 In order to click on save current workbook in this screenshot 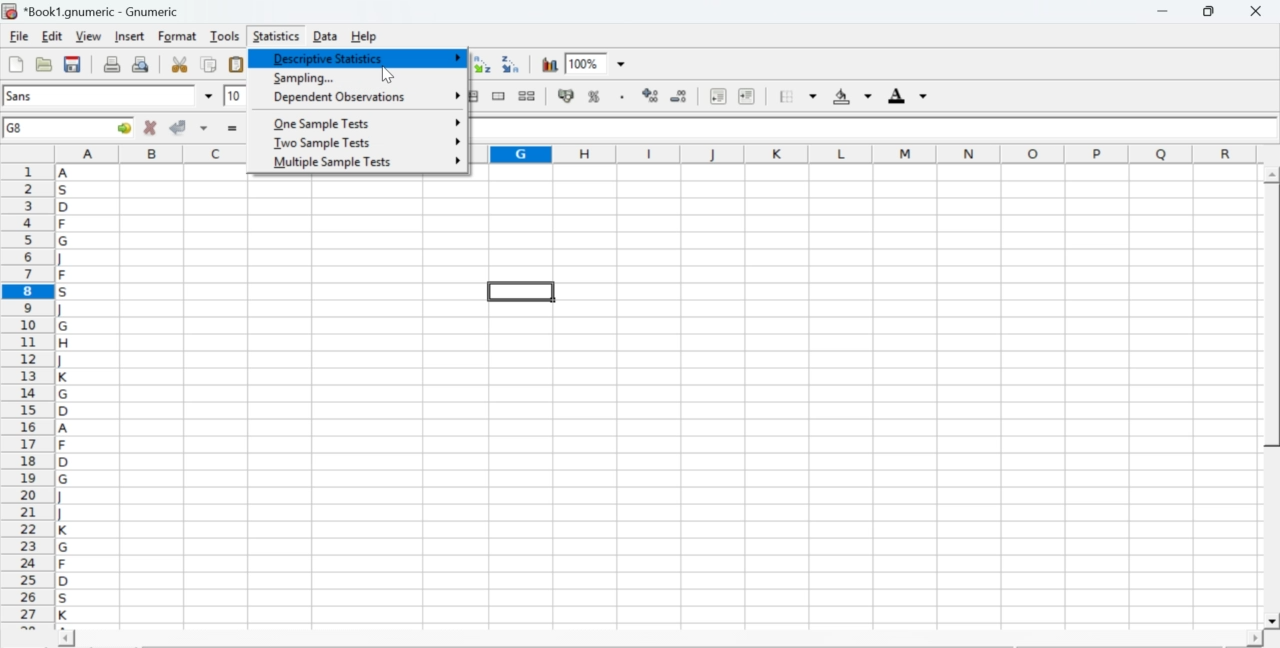, I will do `click(73, 64)`.